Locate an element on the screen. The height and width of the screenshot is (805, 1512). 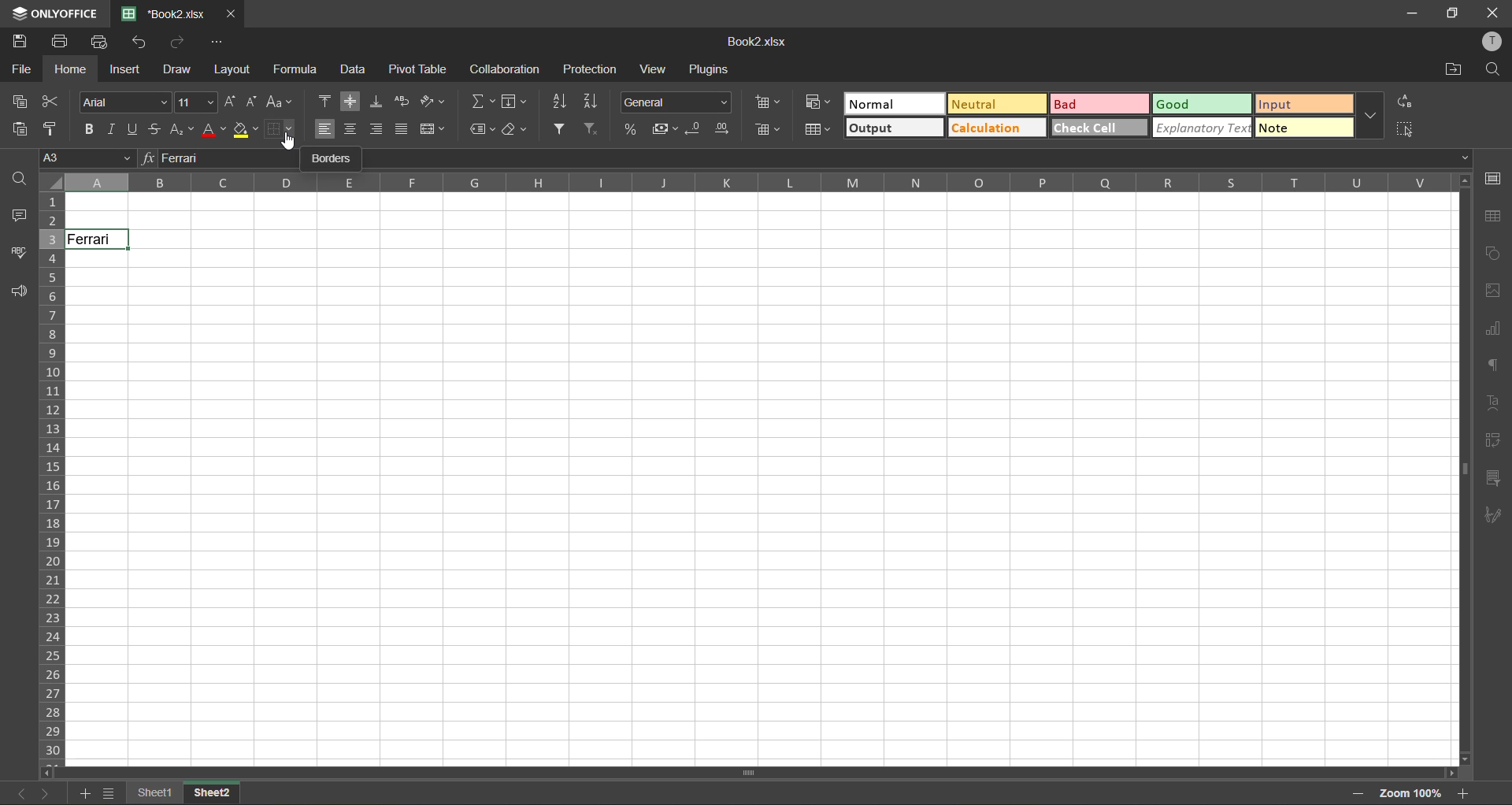
change case is located at coordinates (280, 101).